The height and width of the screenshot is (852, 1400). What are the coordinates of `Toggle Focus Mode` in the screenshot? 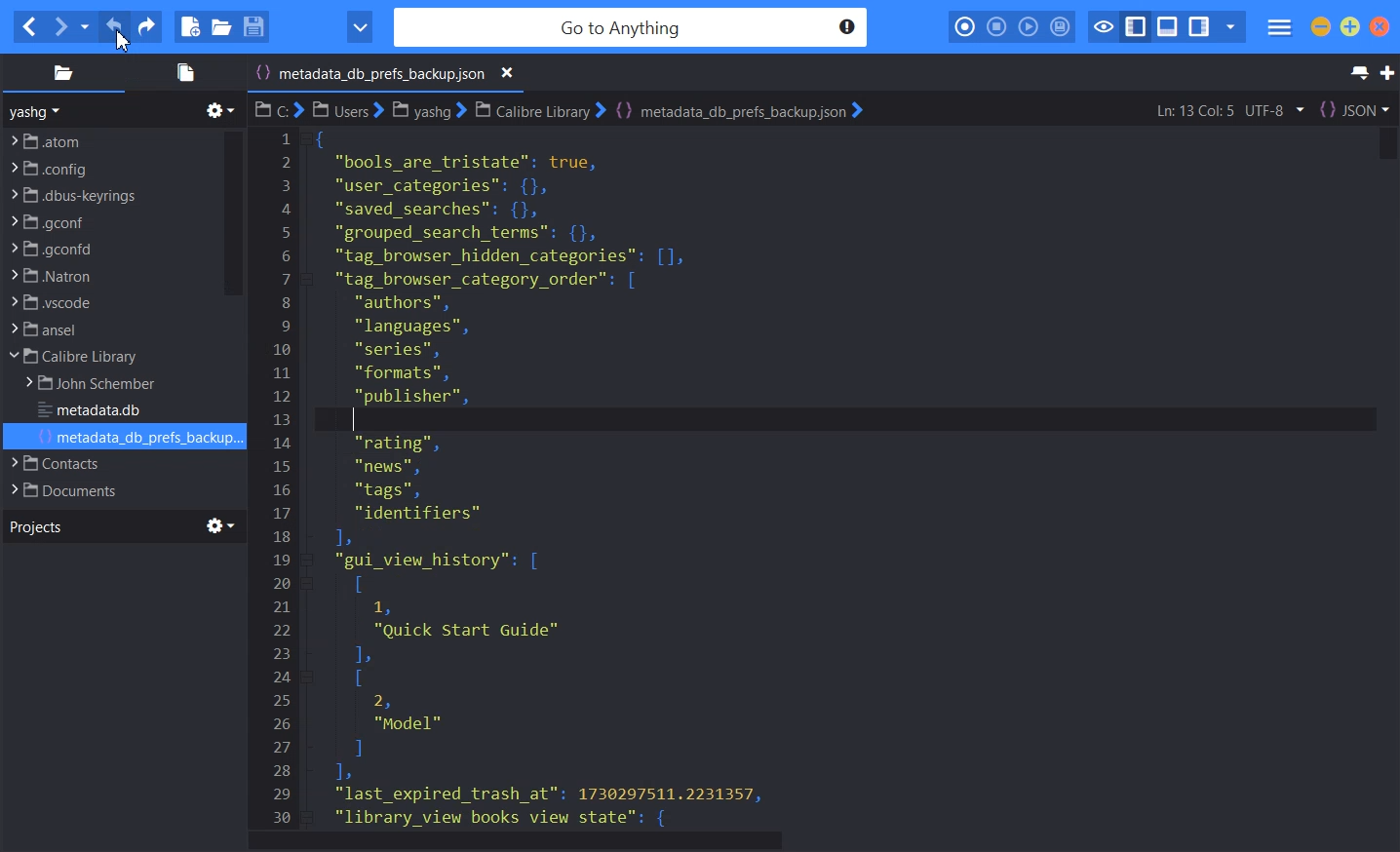 It's located at (1102, 27).